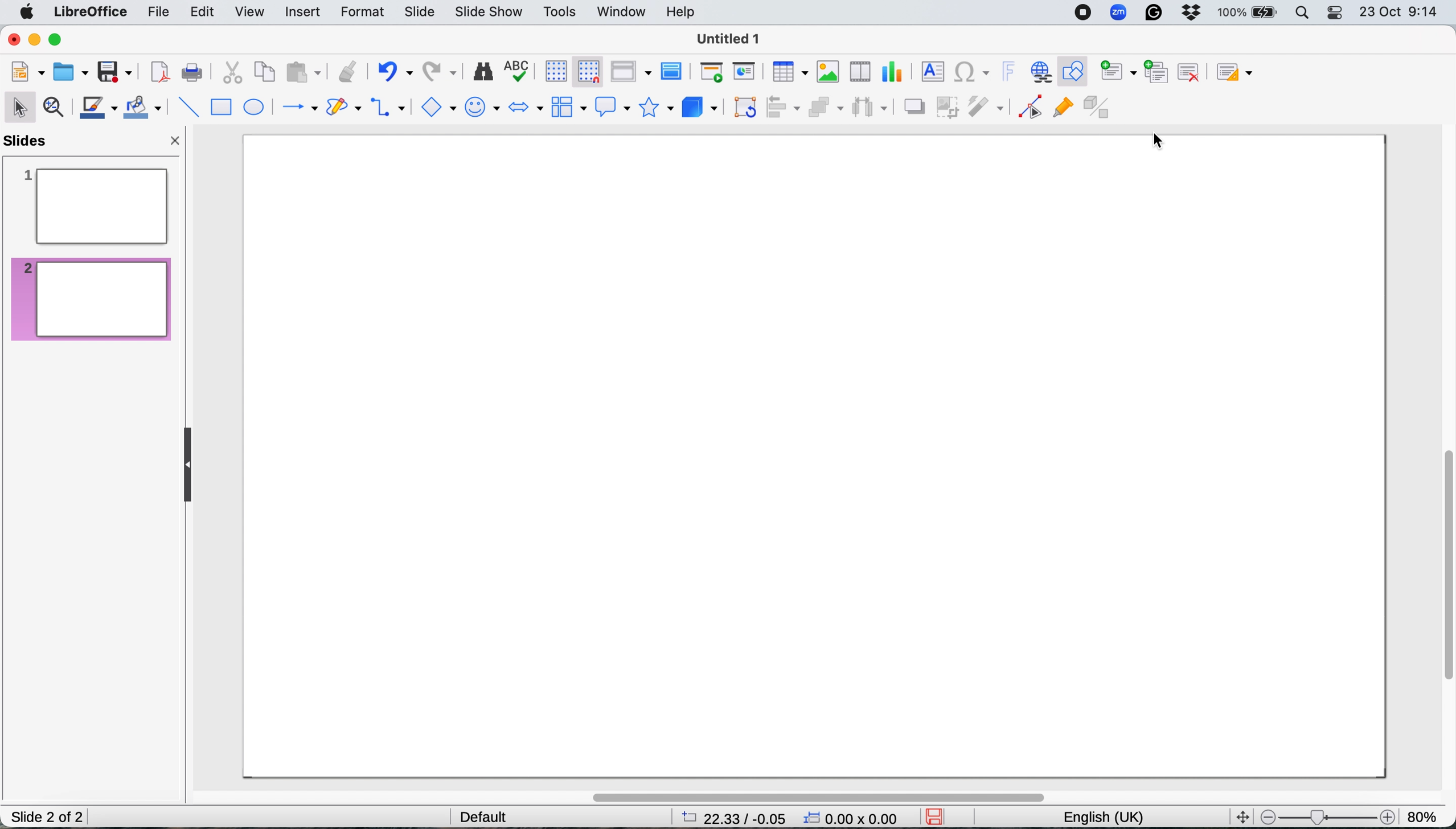  Describe the element at coordinates (1325, 814) in the screenshot. I see `zoom scale` at that location.